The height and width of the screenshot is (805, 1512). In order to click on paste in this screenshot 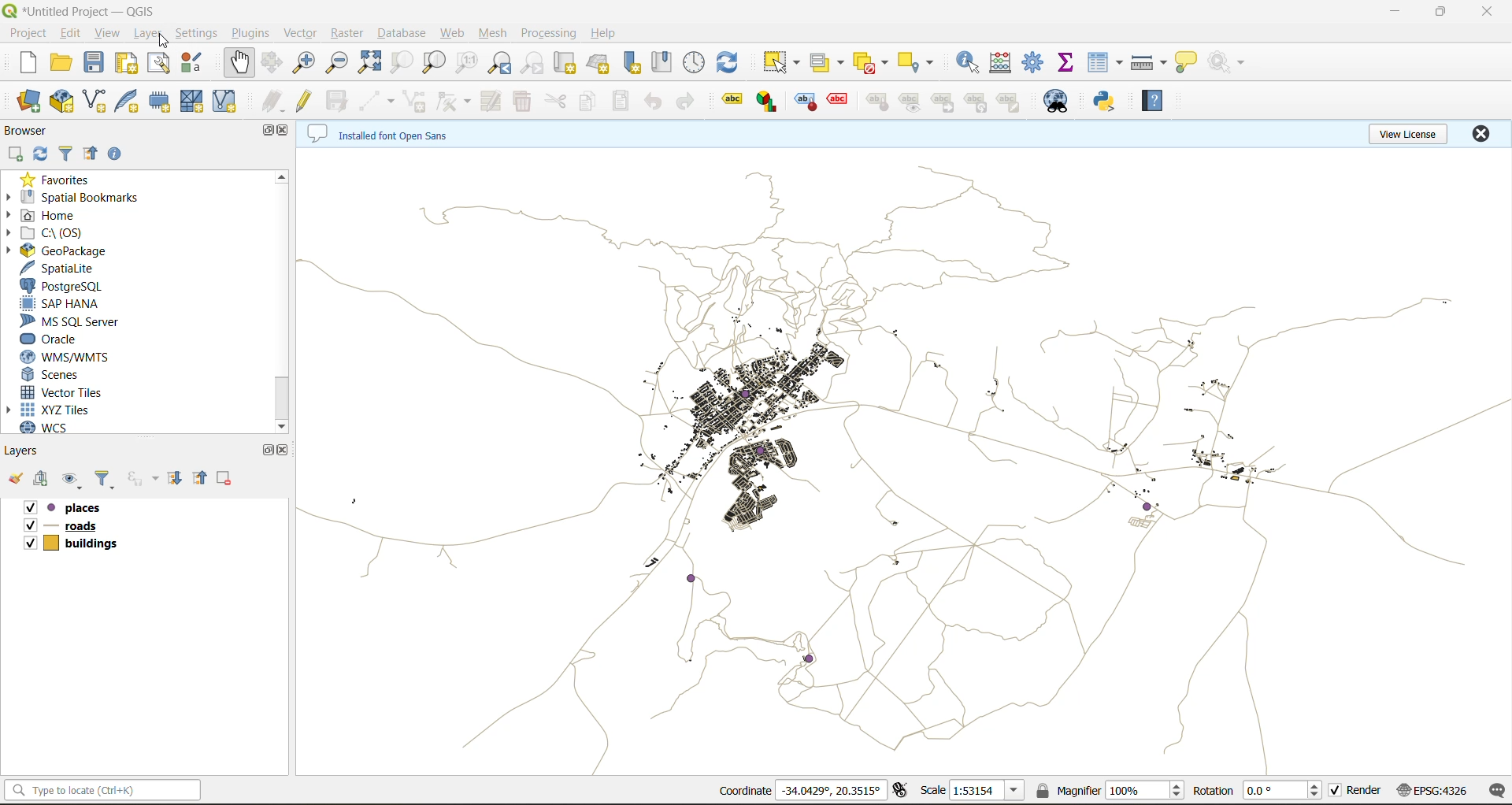, I will do `click(621, 101)`.